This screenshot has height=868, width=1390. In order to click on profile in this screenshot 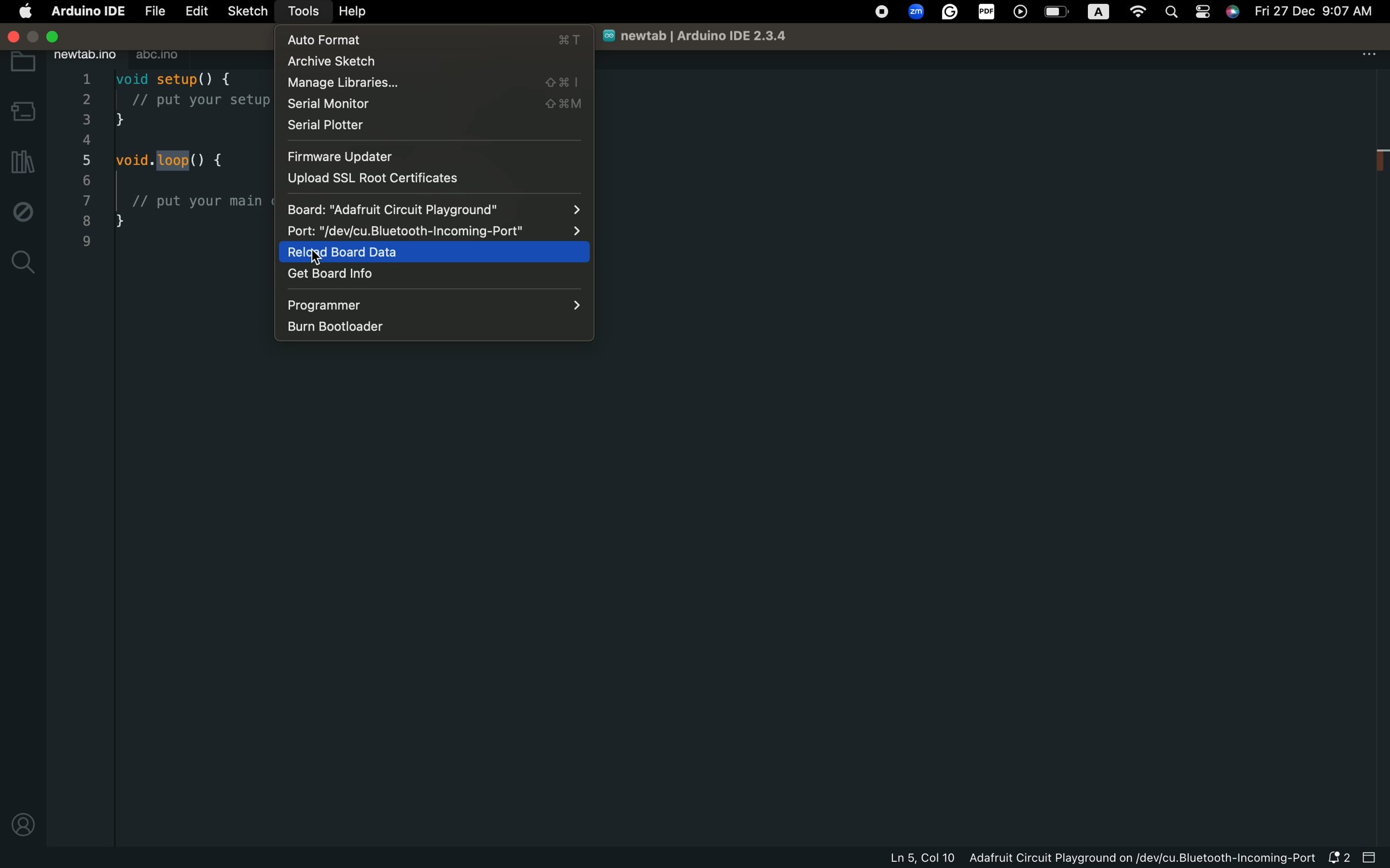, I will do `click(24, 823)`.